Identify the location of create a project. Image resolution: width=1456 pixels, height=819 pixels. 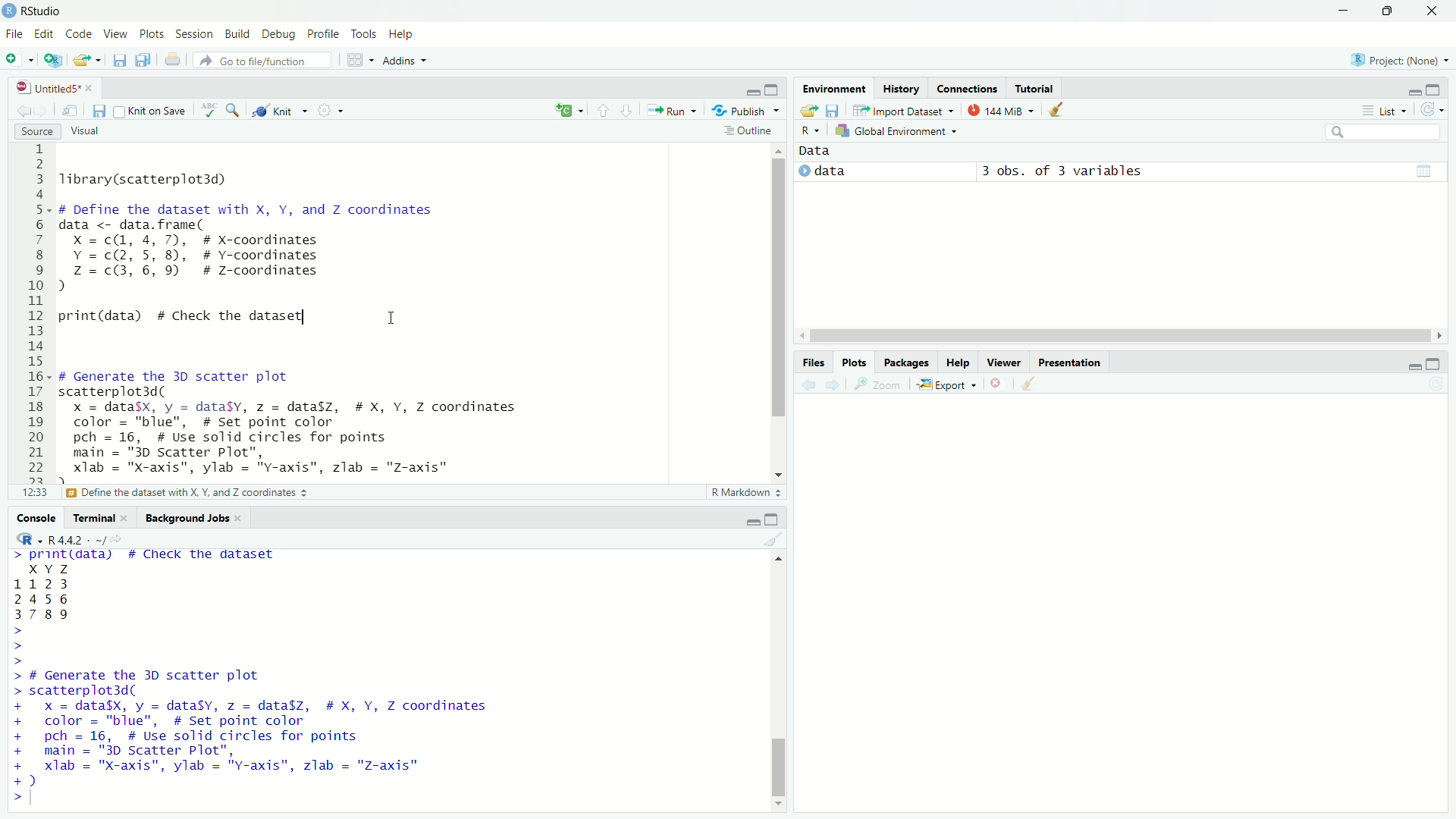
(54, 61).